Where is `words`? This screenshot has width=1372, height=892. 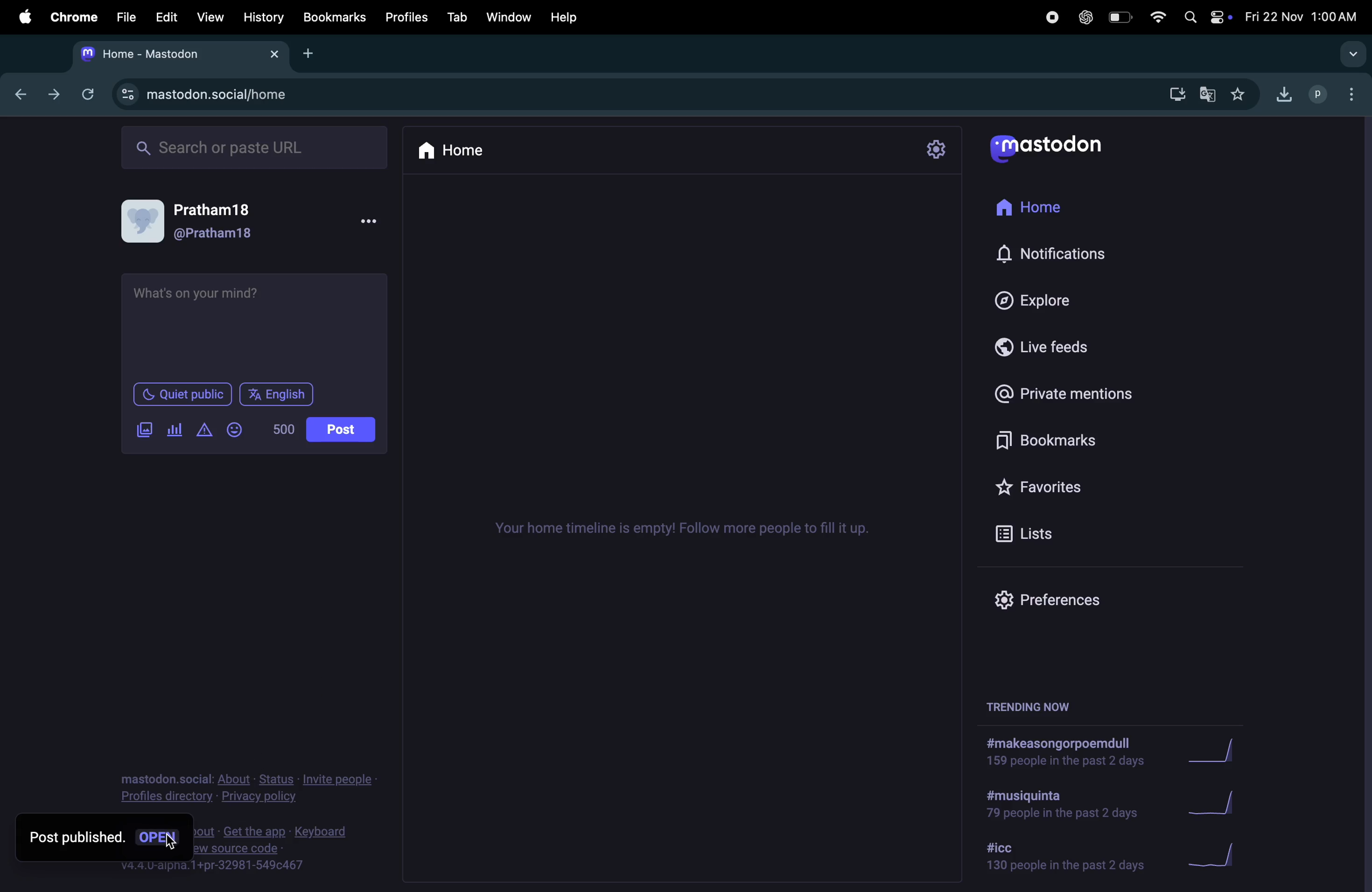
words is located at coordinates (283, 428).